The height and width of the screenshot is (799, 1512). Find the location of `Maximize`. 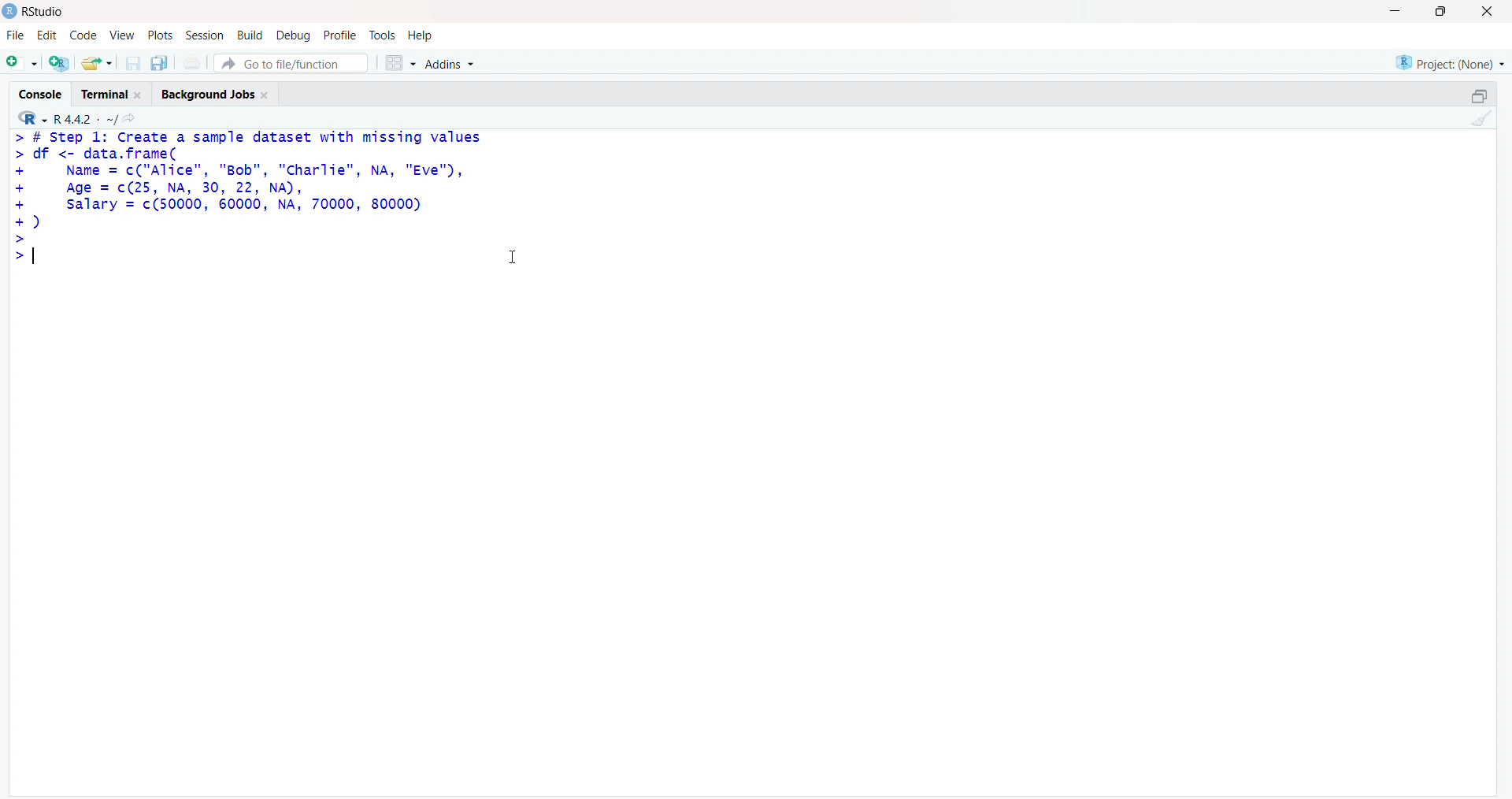

Maximize is located at coordinates (1482, 96).